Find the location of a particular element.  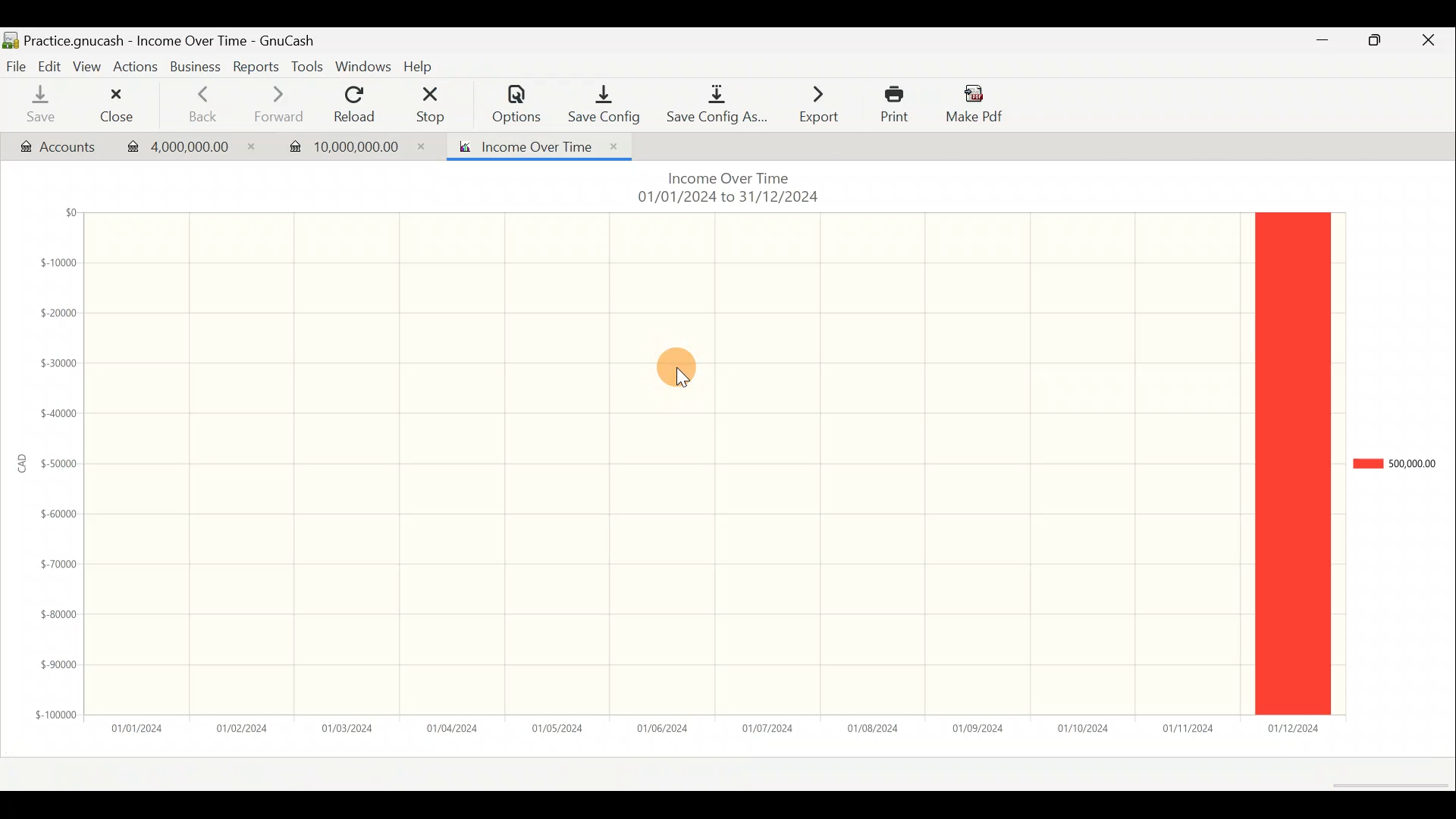

Income Over Time is located at coordinates (539, 146).